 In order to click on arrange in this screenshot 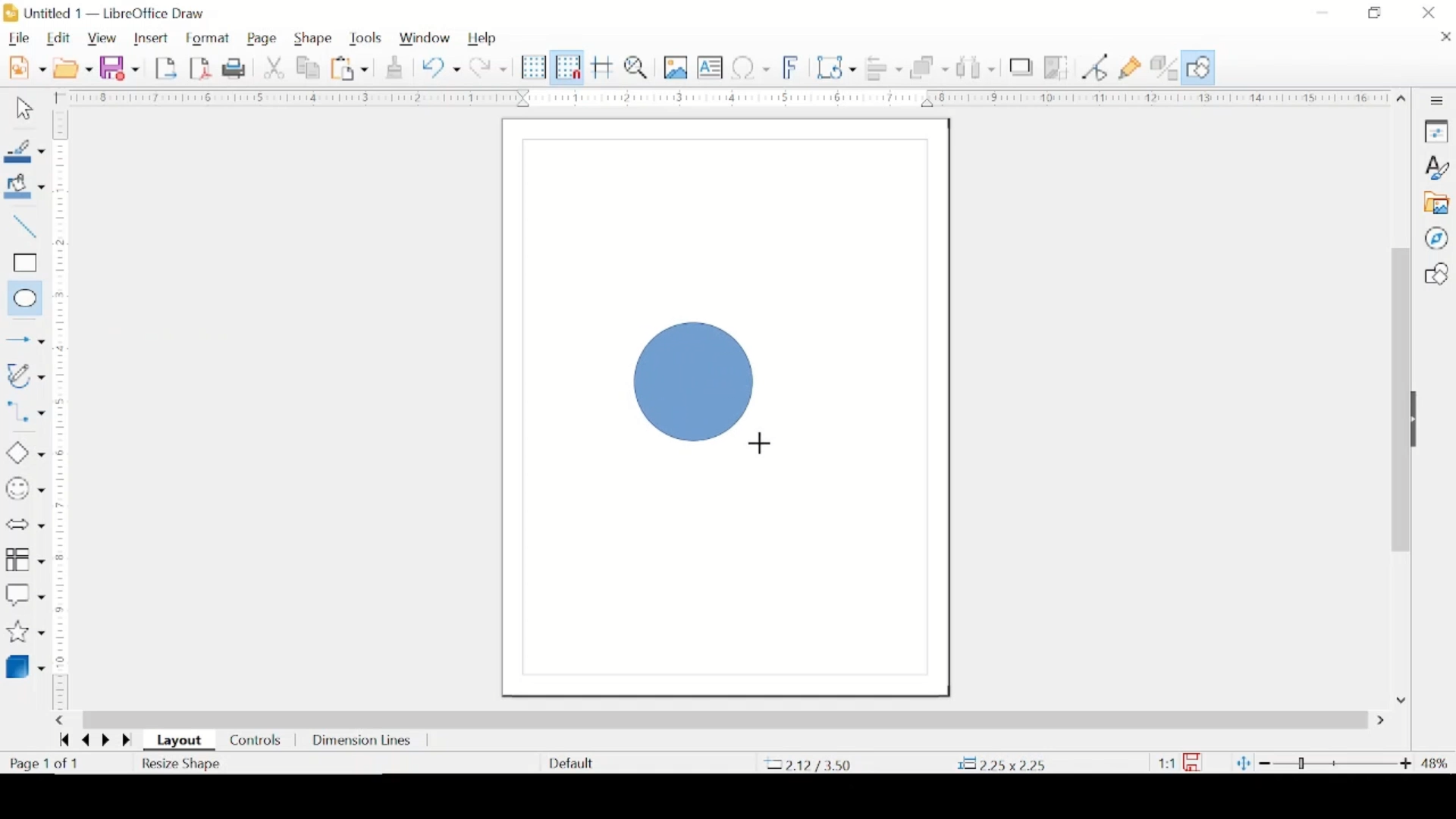, I will do `click(928, 67)`.